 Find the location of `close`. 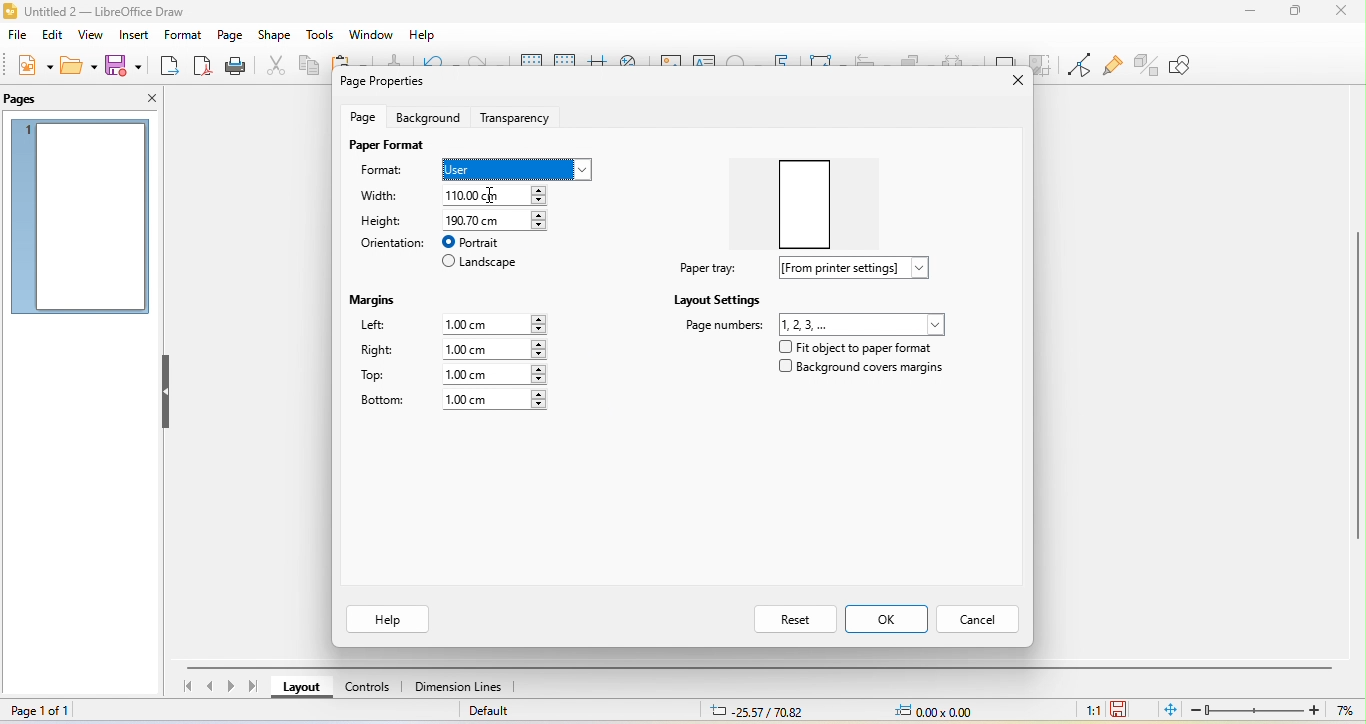

close is located at coordinates (144, 98).